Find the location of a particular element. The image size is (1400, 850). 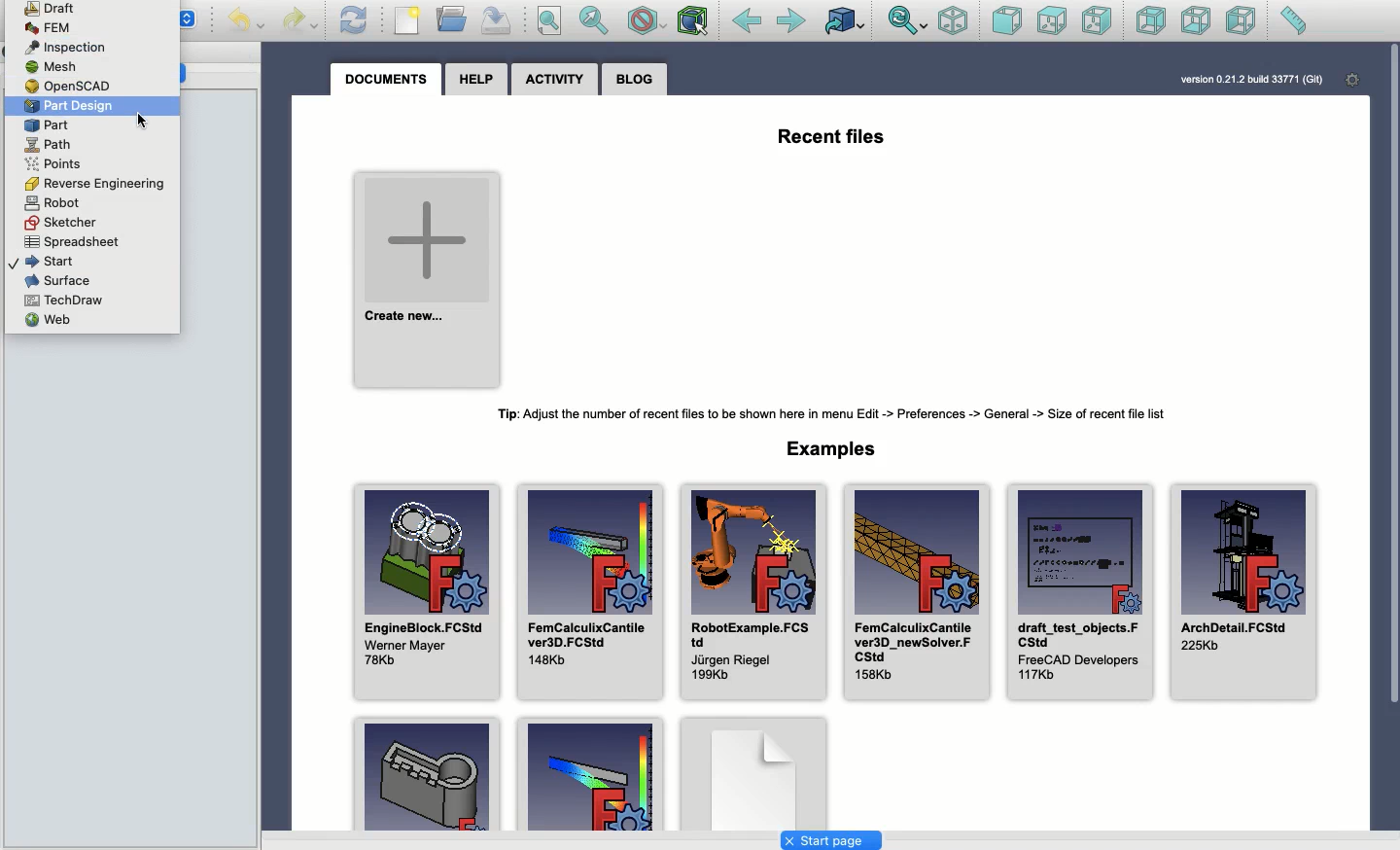

Sync view is located at coordinates (906, 21).